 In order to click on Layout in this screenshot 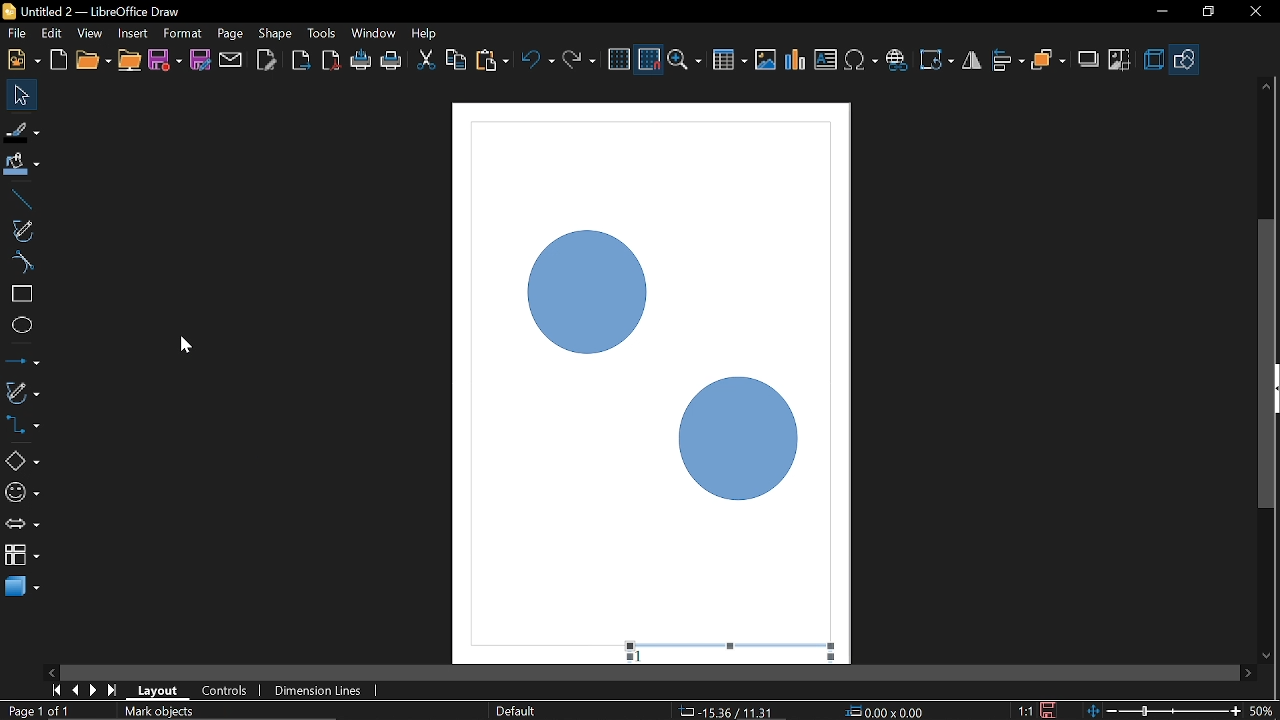, I will do `click(158, 690)`.